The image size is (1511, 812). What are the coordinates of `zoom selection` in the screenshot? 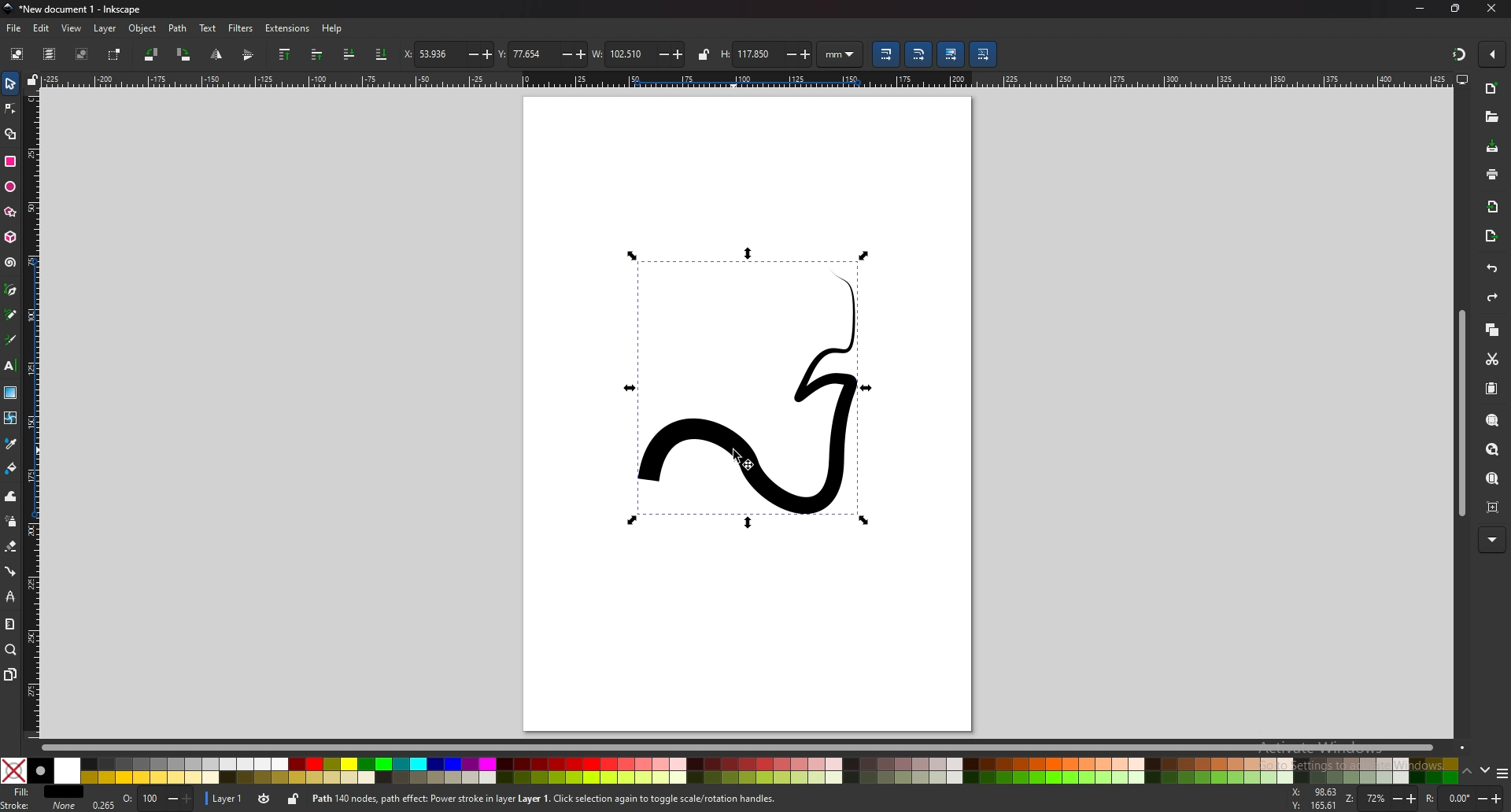 It's located at (1491, 419).